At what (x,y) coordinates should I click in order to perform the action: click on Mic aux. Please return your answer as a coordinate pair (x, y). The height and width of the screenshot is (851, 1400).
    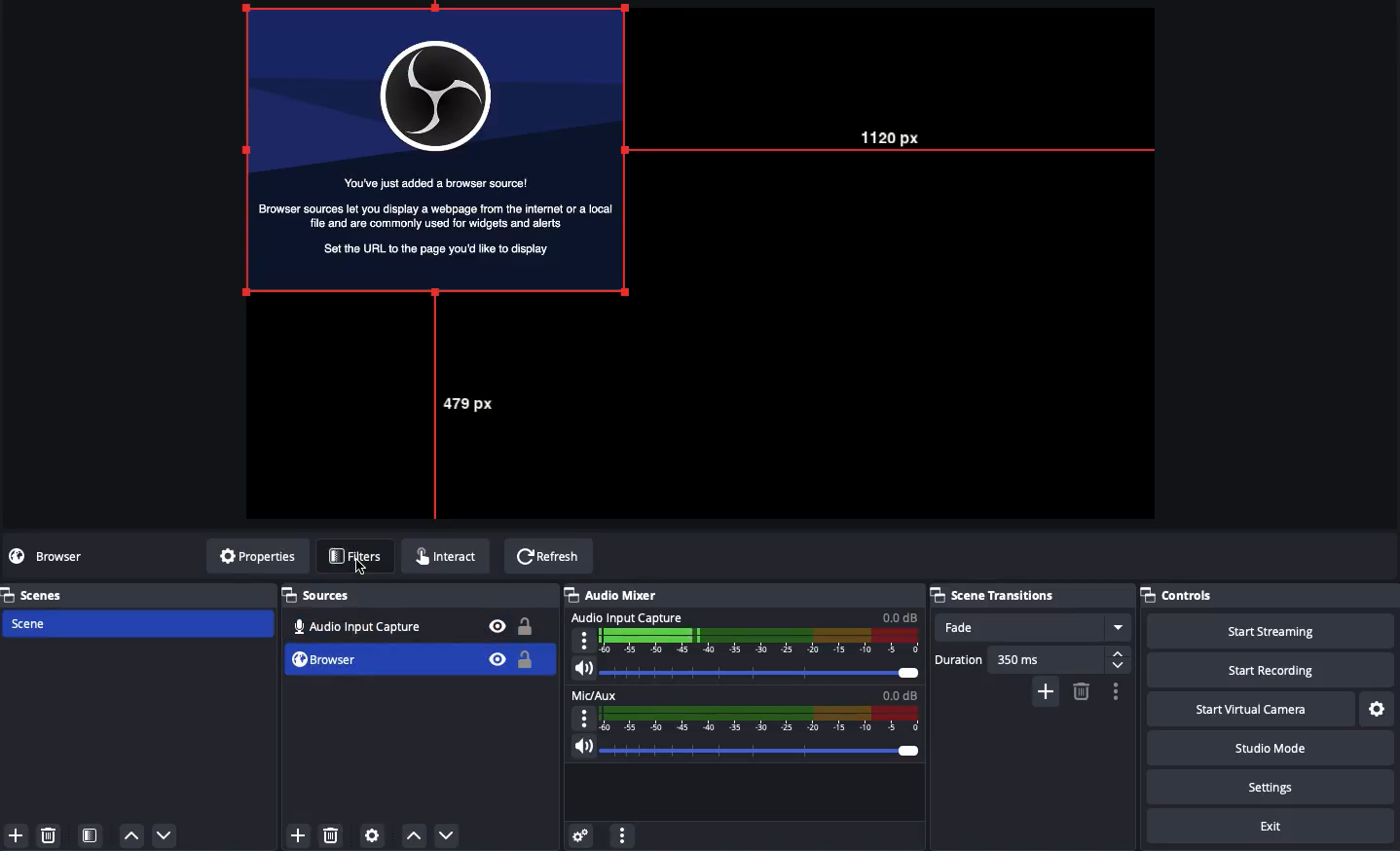
    Looking at the image, I should click on (745, 708).